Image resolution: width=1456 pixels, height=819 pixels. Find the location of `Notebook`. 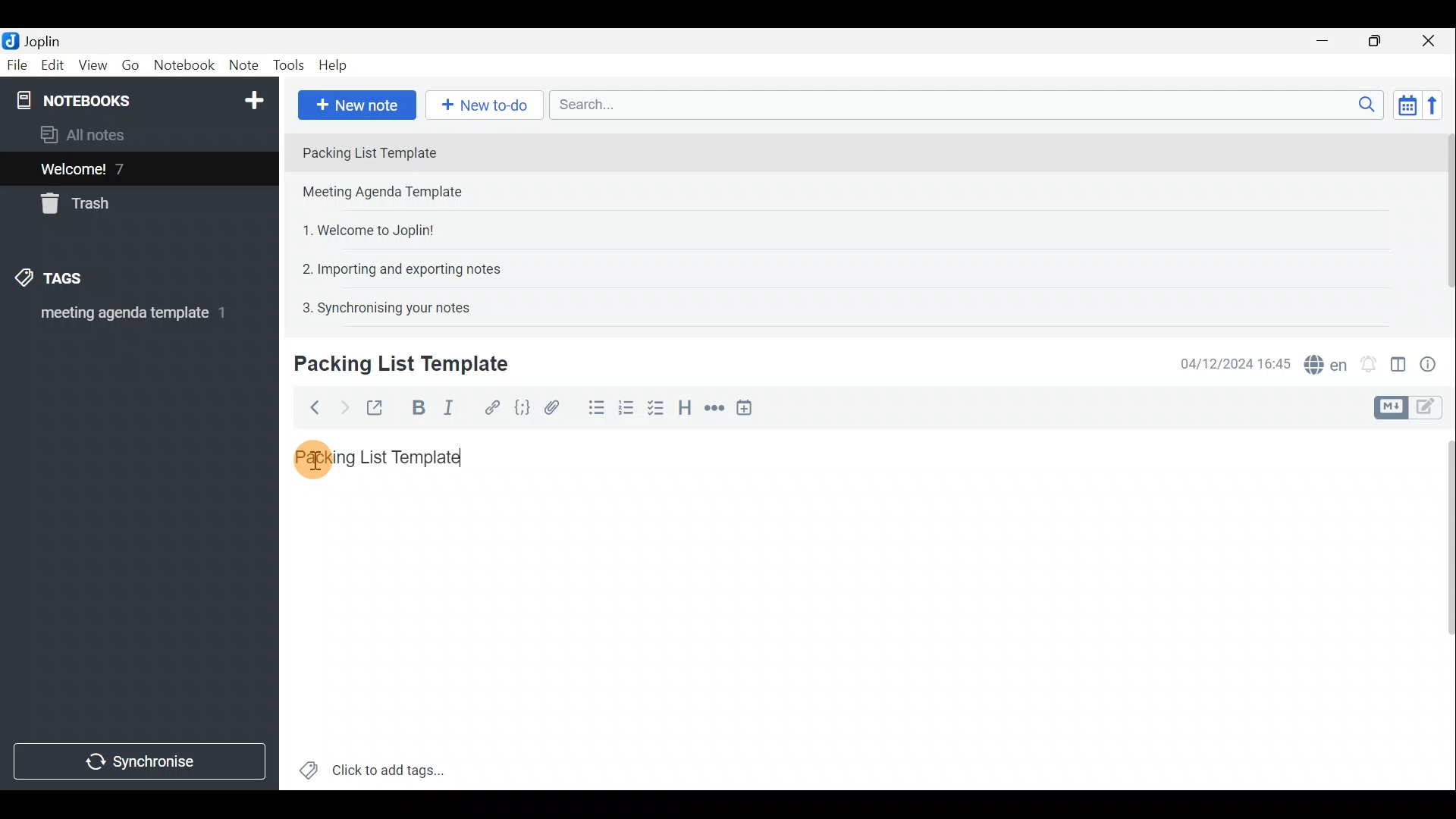

Notebook is located at coordinates (184, 67).